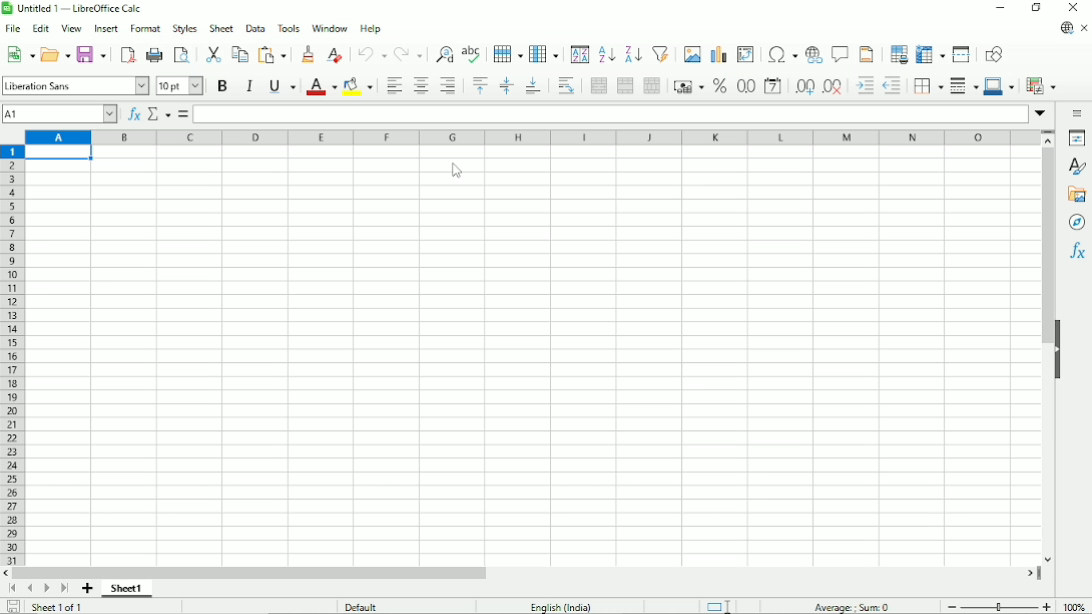 This screenshot has height=614, width=1092. Describe the element at coordinates (64, 589) in the screenshot. I see `Scroll to last sheet` at that location.